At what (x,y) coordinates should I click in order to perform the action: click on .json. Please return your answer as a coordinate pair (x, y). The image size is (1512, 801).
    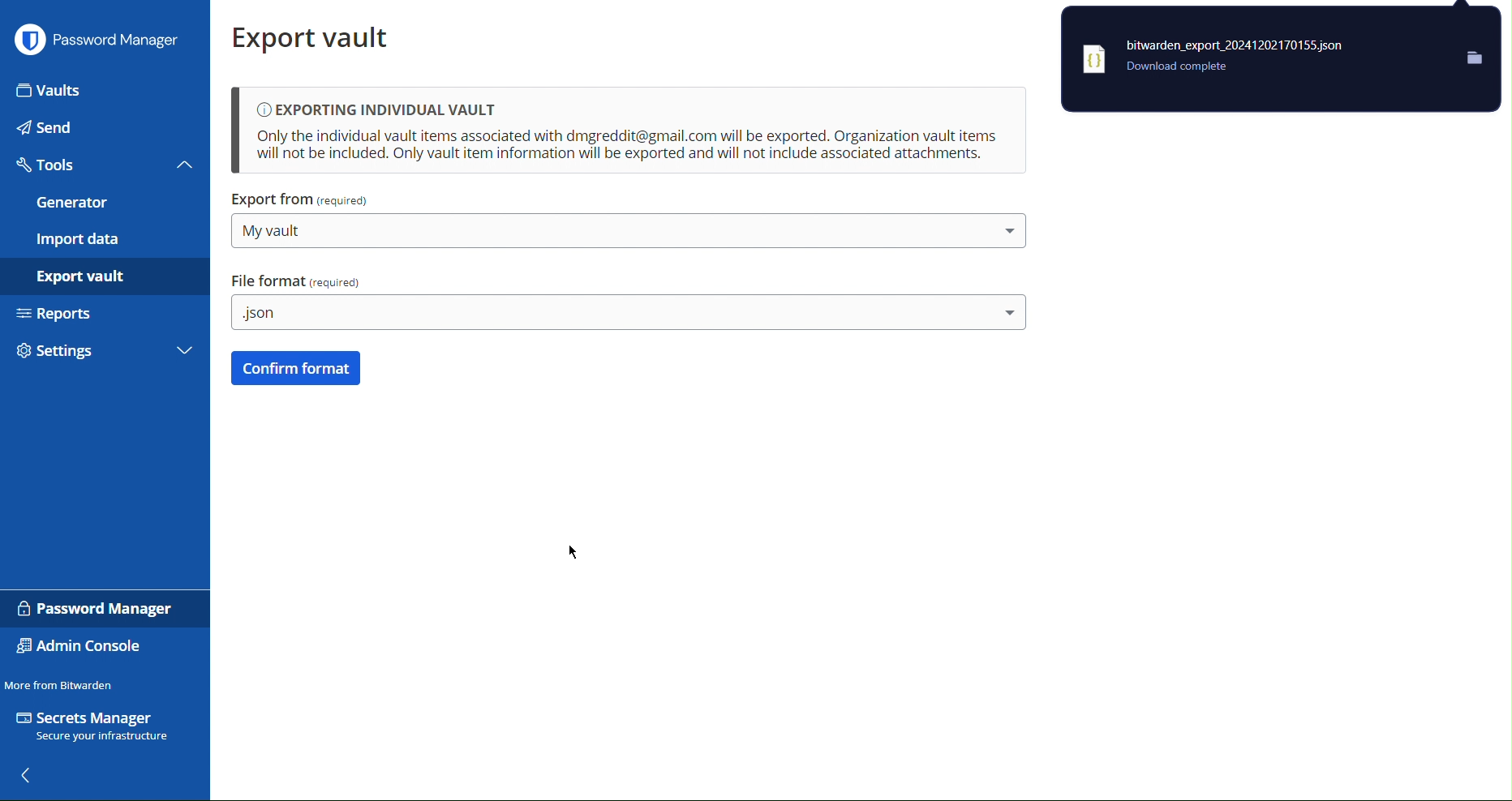
    Looking at the image, I should click on (628, 314).